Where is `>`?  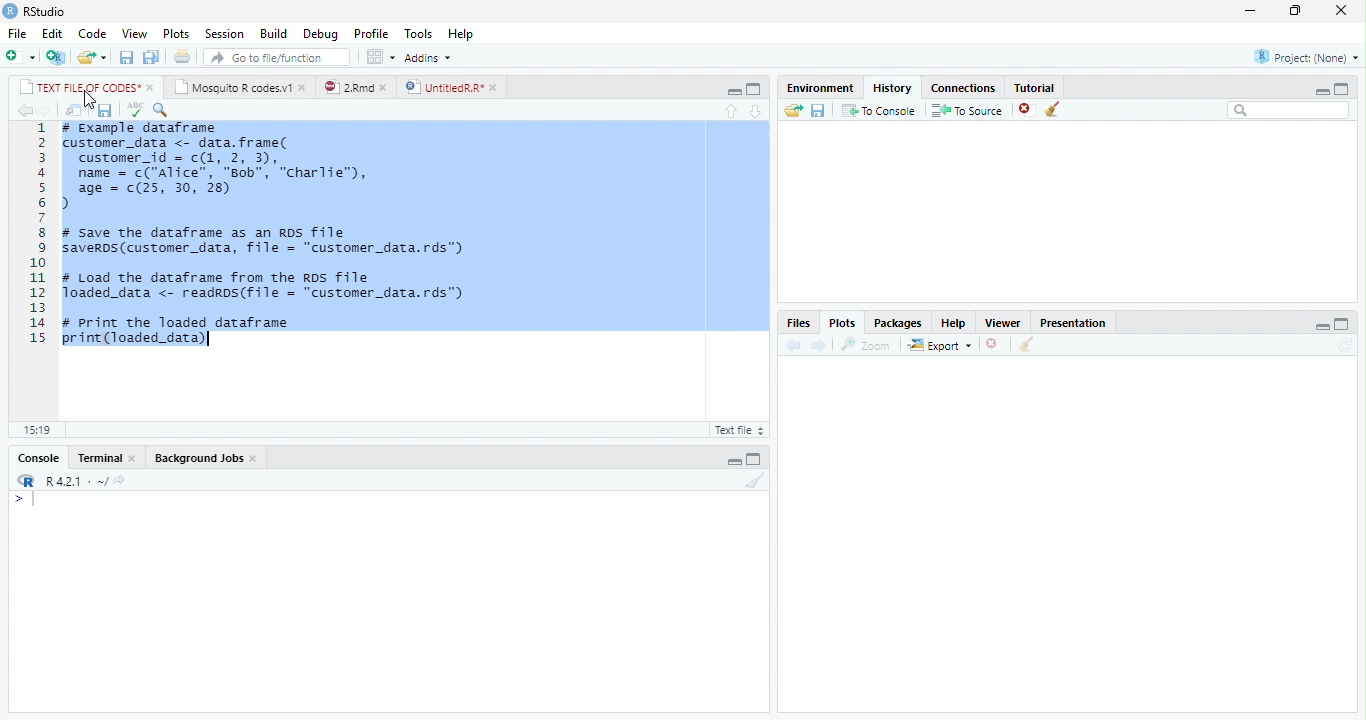
> is located at coordinates (26, 499).